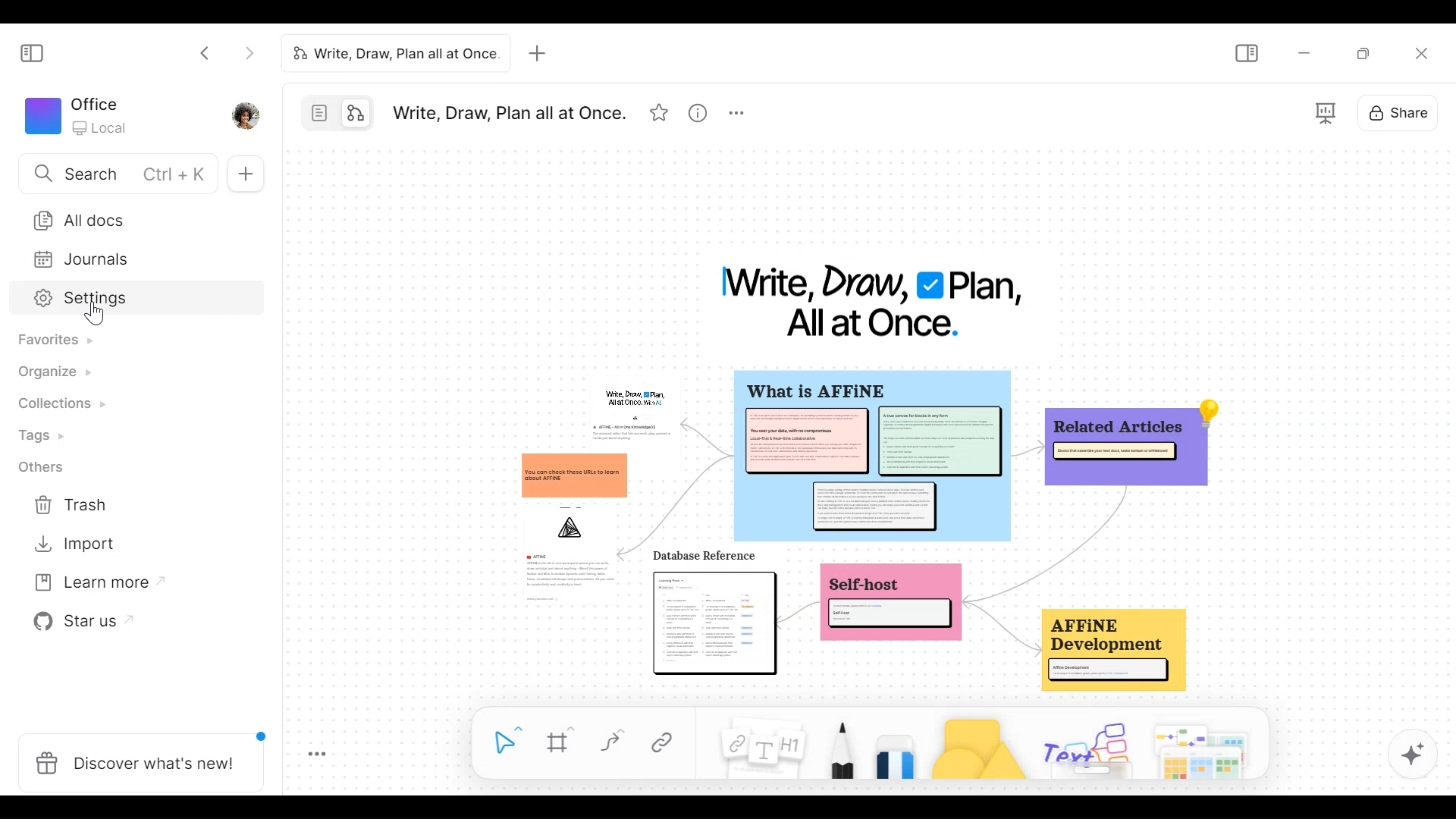 This screenshot has height=819, width=1456. What do you see at coordinates (1327, 114) in the screenshot?
I see `Frame` at bounding box center [1327, 114].